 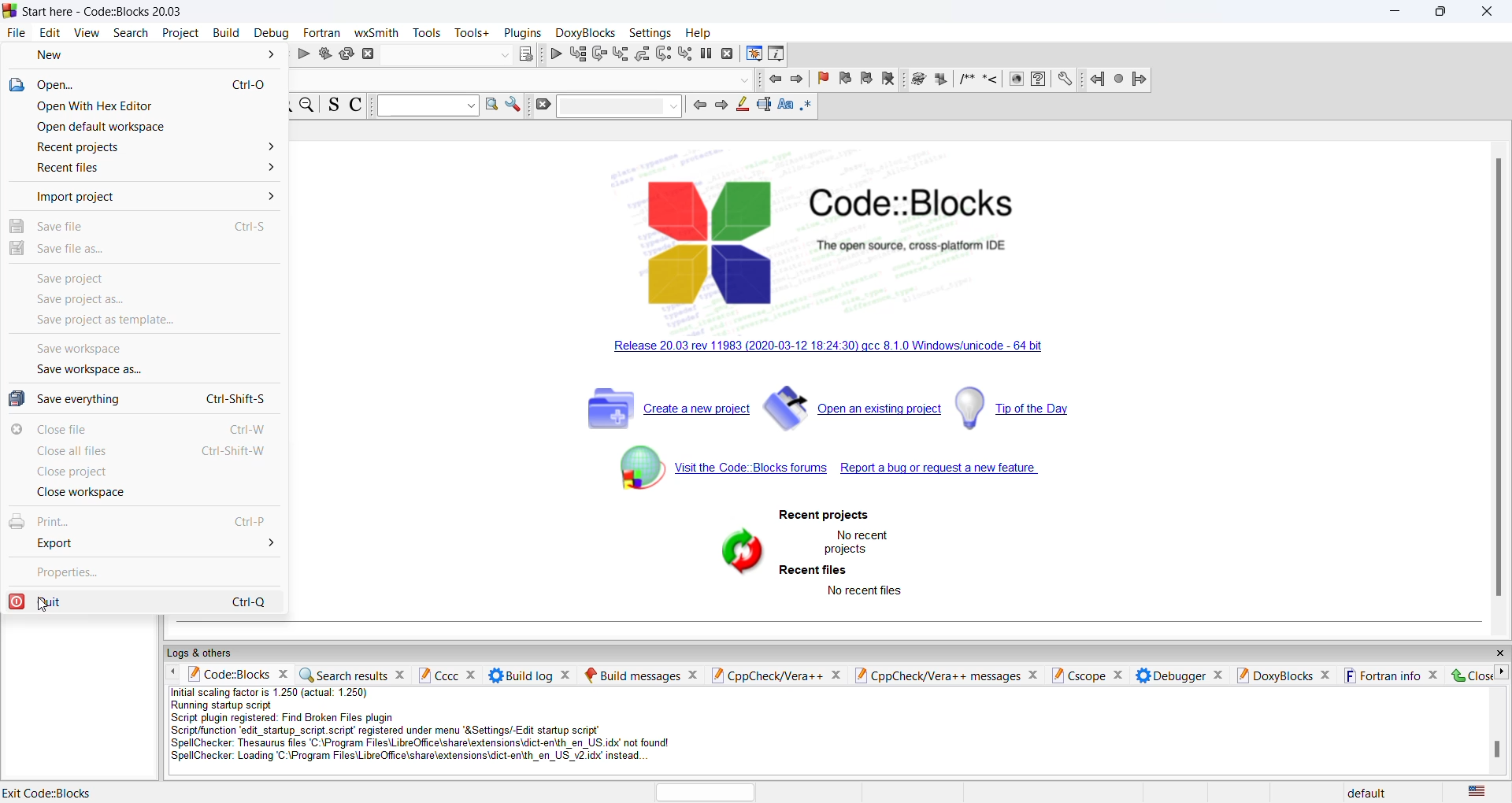 What do you see at coordinates (124, 11) in the screenshot?
I see `title` at bounding box center [124, 11].